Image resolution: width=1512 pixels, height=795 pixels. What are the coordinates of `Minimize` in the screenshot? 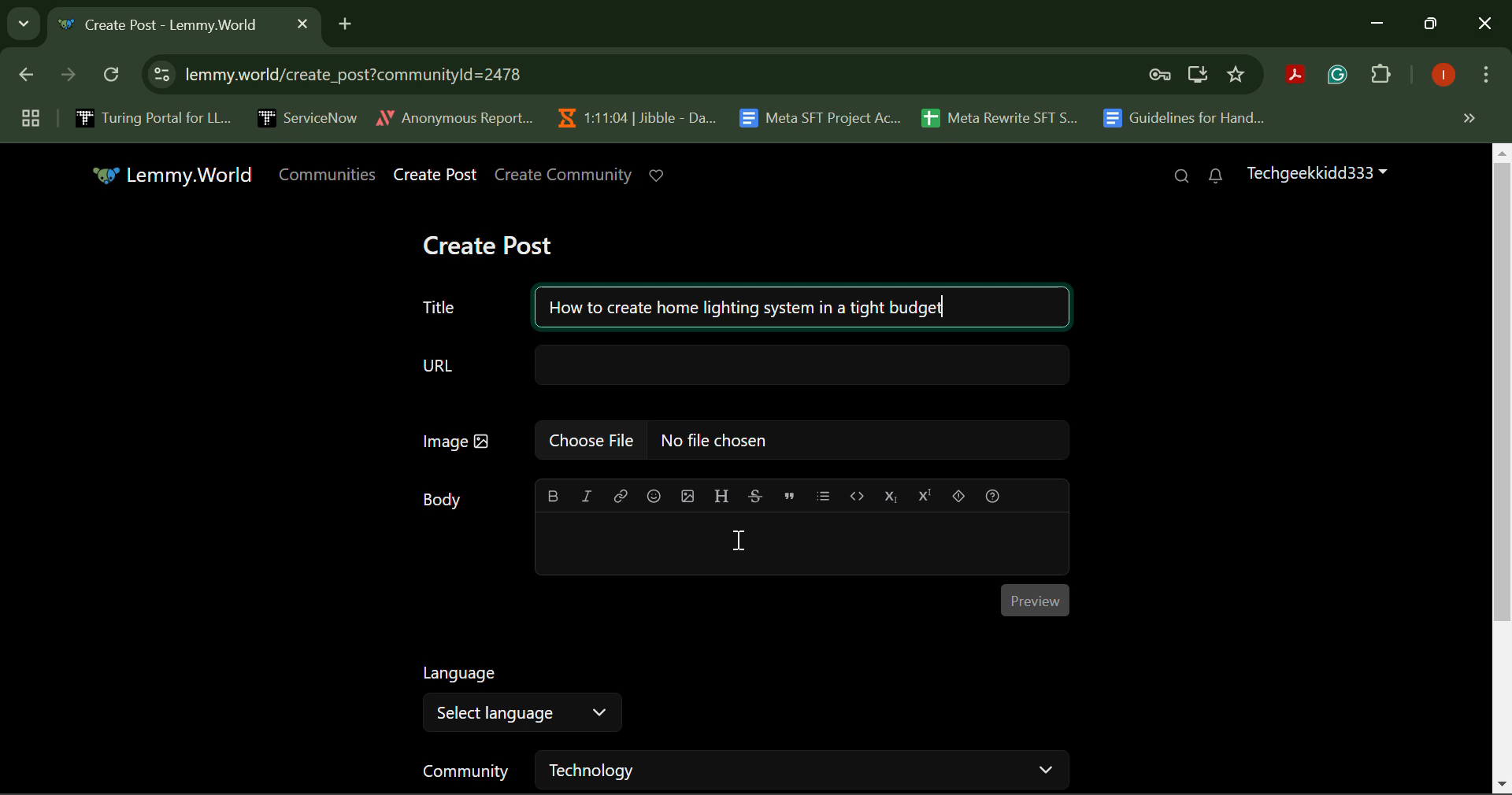 It's located at (1433, 24).